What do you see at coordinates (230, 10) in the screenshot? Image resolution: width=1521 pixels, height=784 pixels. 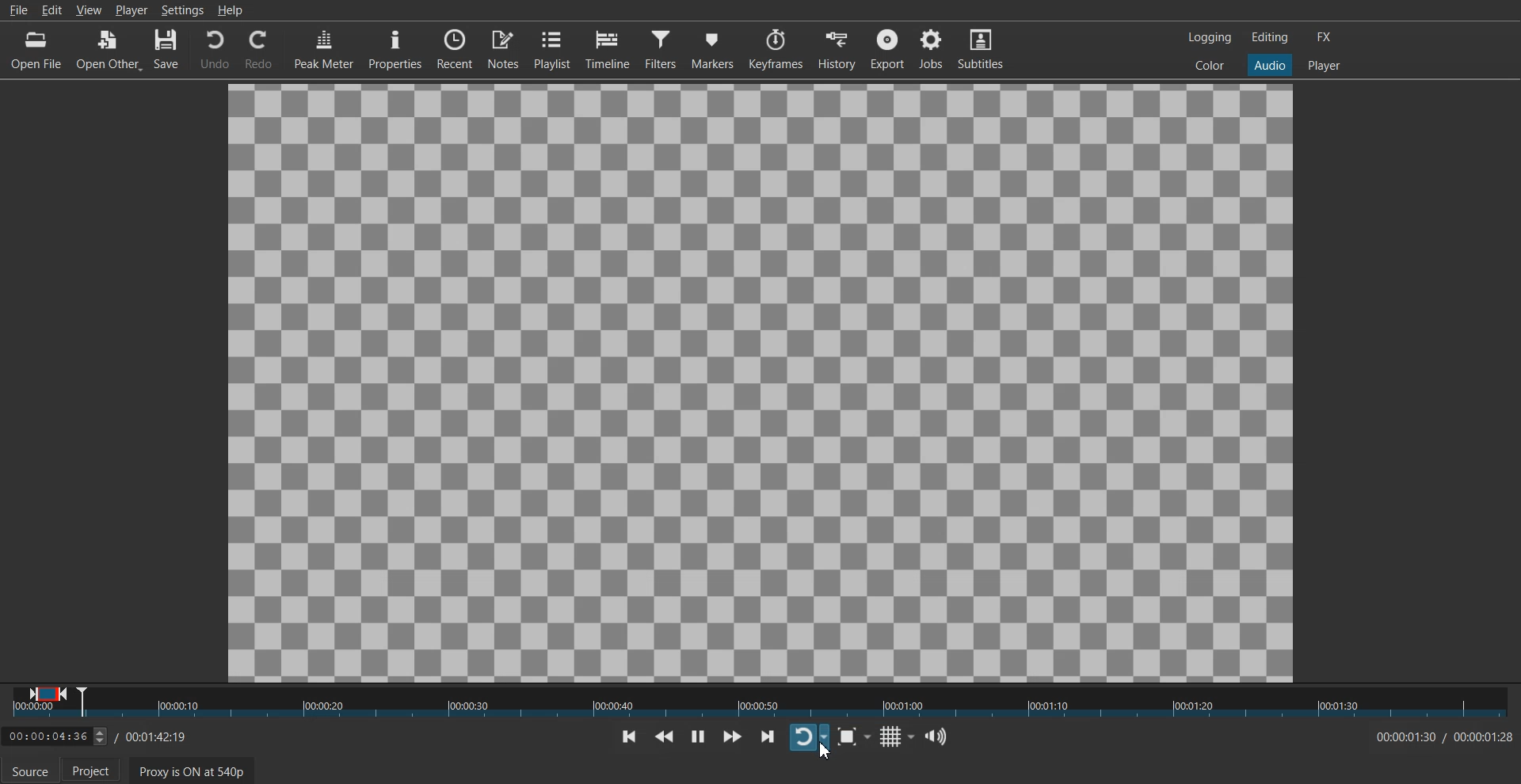 I see `Help` at bounding box center [230, 10].